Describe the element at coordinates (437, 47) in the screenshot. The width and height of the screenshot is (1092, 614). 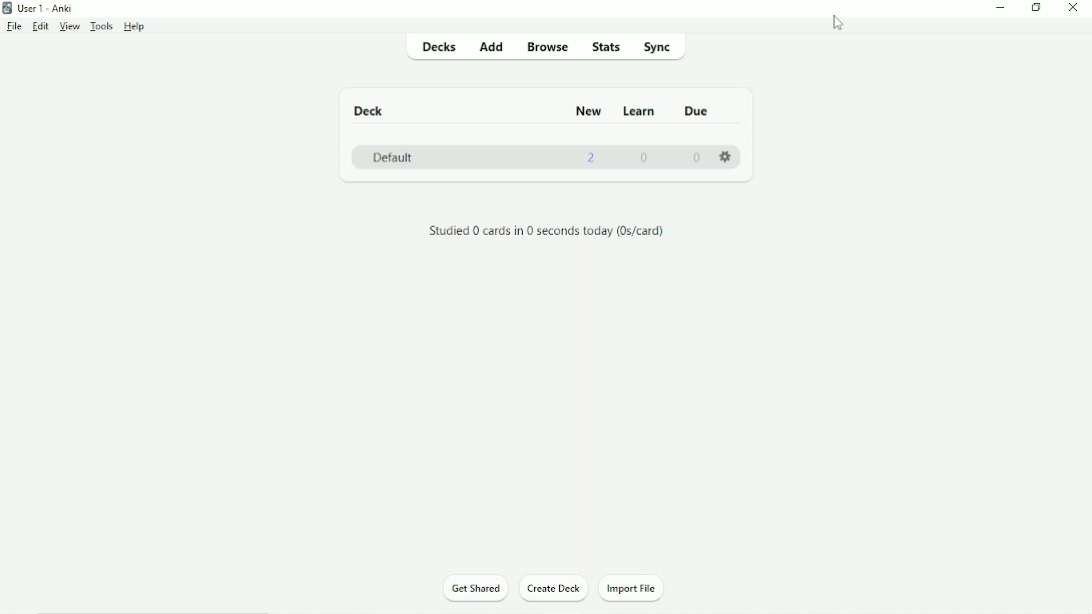
I see `Decks` at that location.